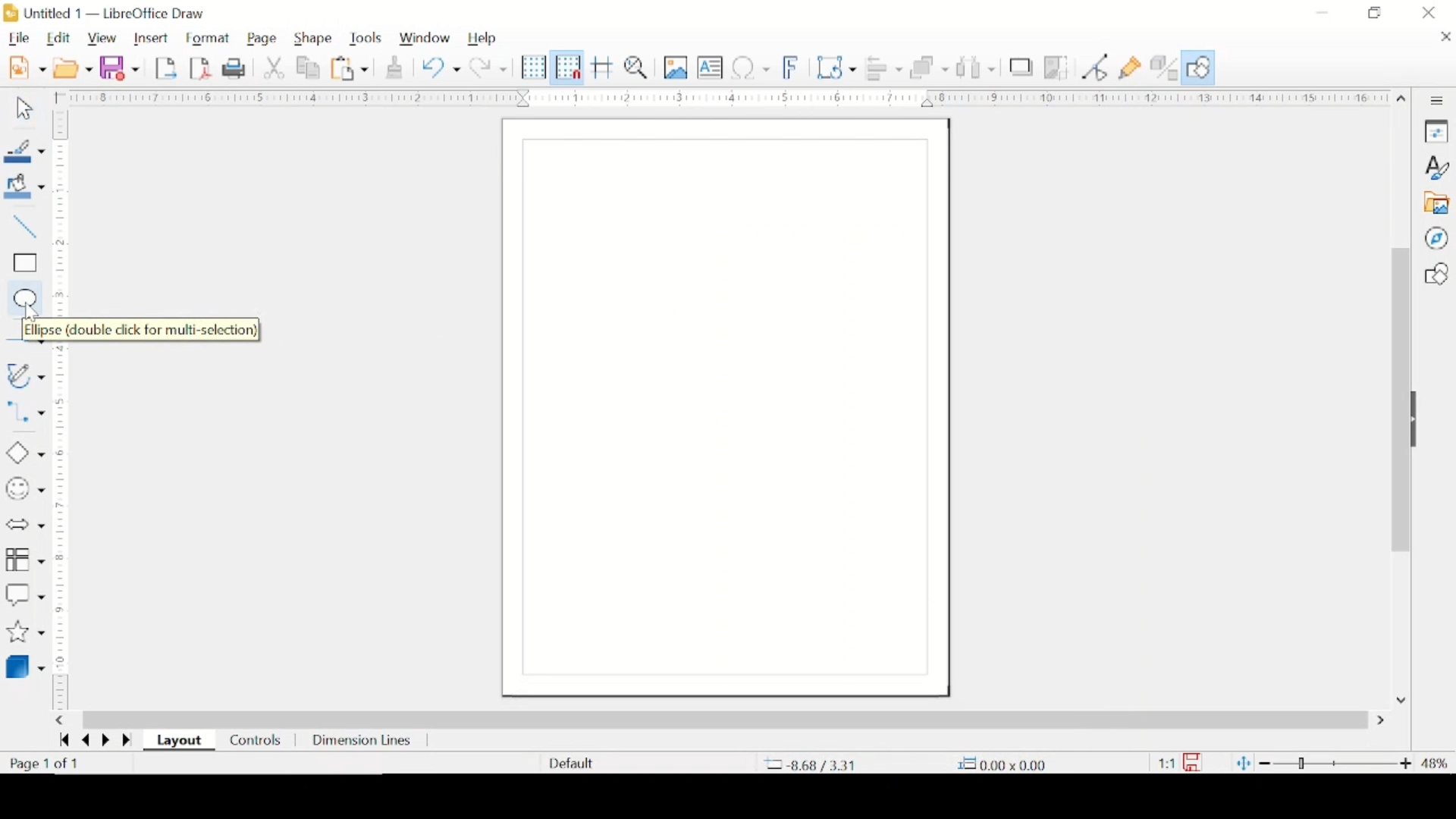  I want to click on scroll box, so click(726, 719).